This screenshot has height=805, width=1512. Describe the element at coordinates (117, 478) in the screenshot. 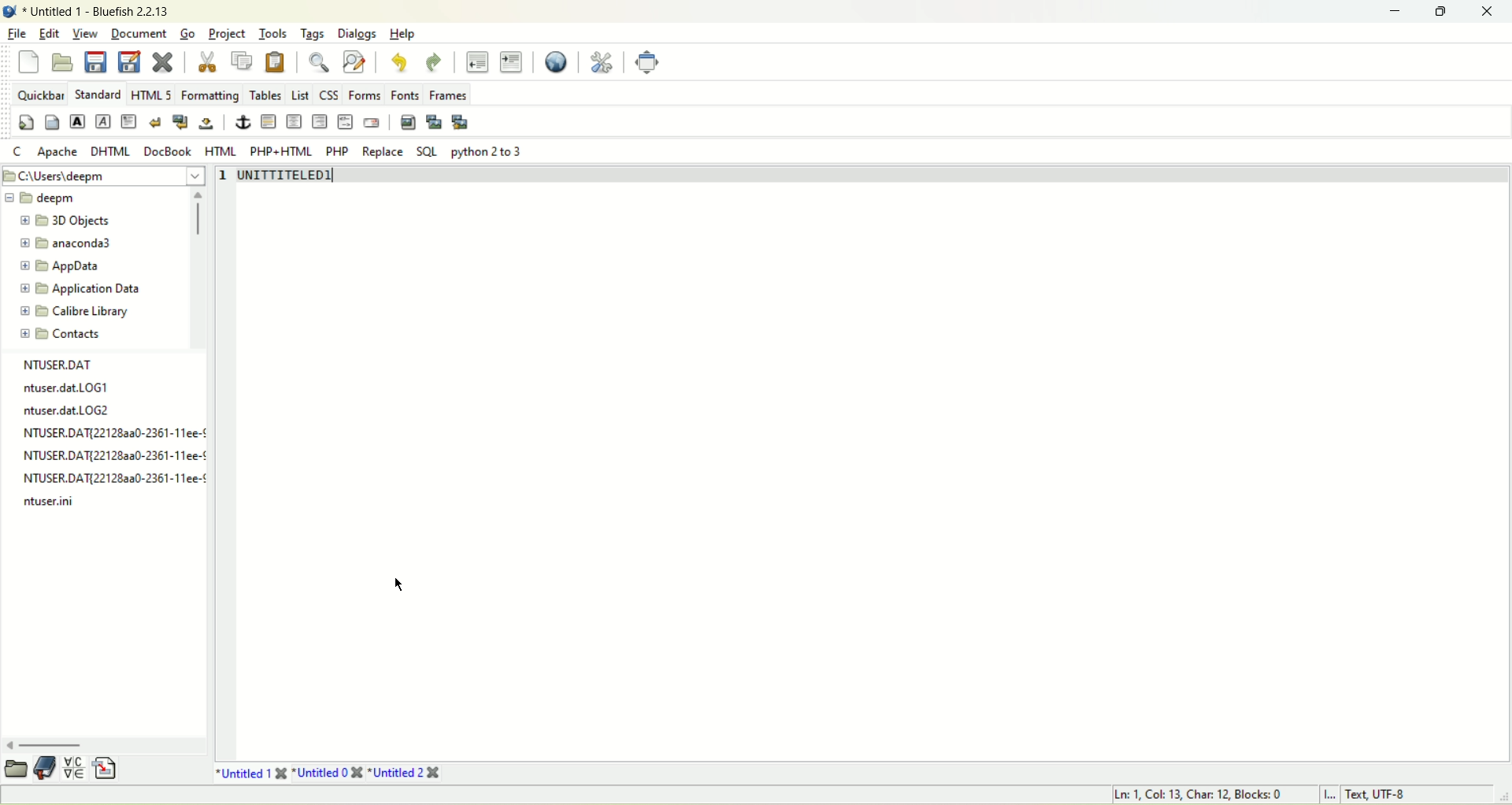

I see `log` at that location.